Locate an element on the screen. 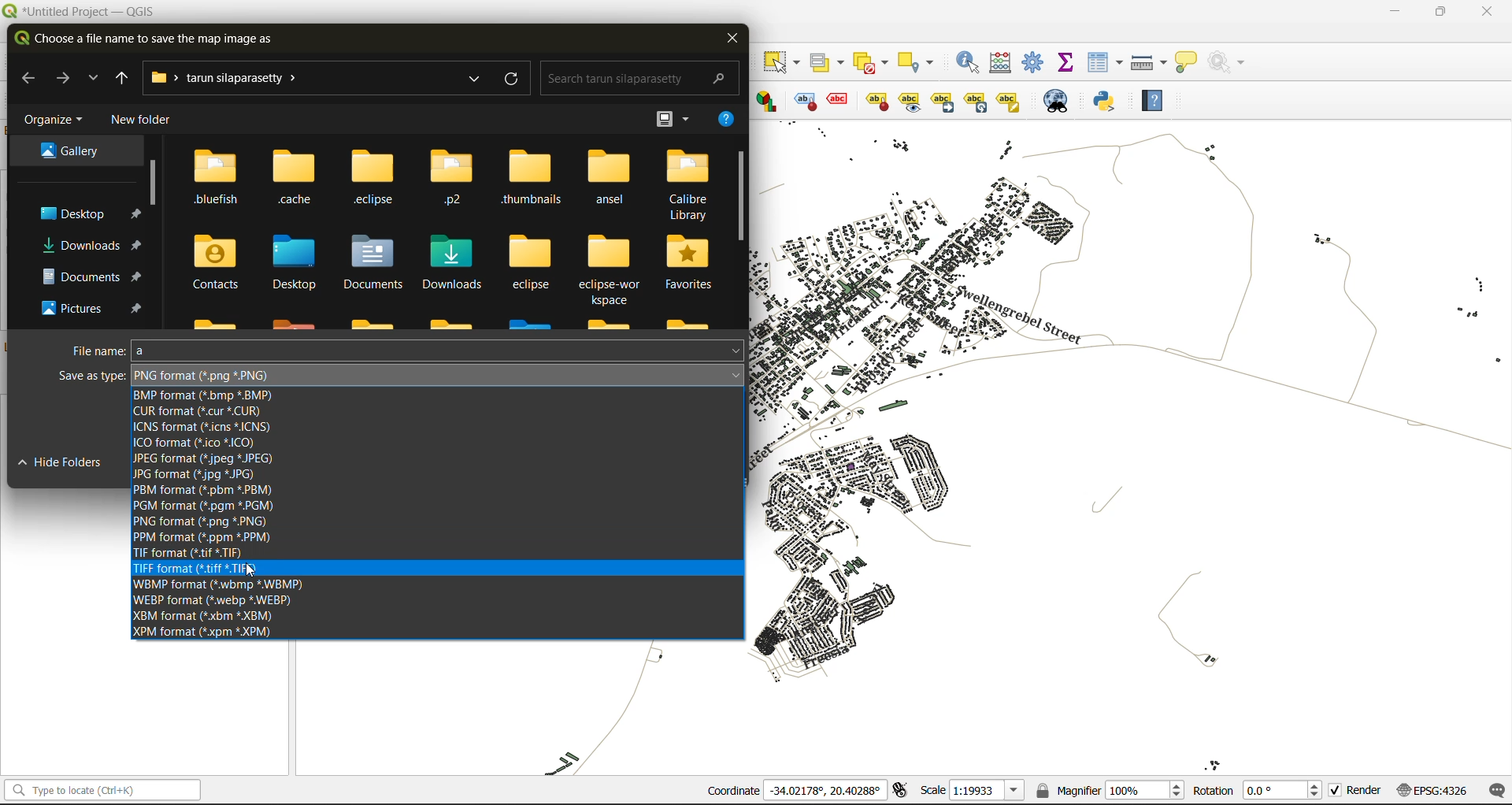 The image size is (1512, 805). icns is located at coordinates (224, 428).